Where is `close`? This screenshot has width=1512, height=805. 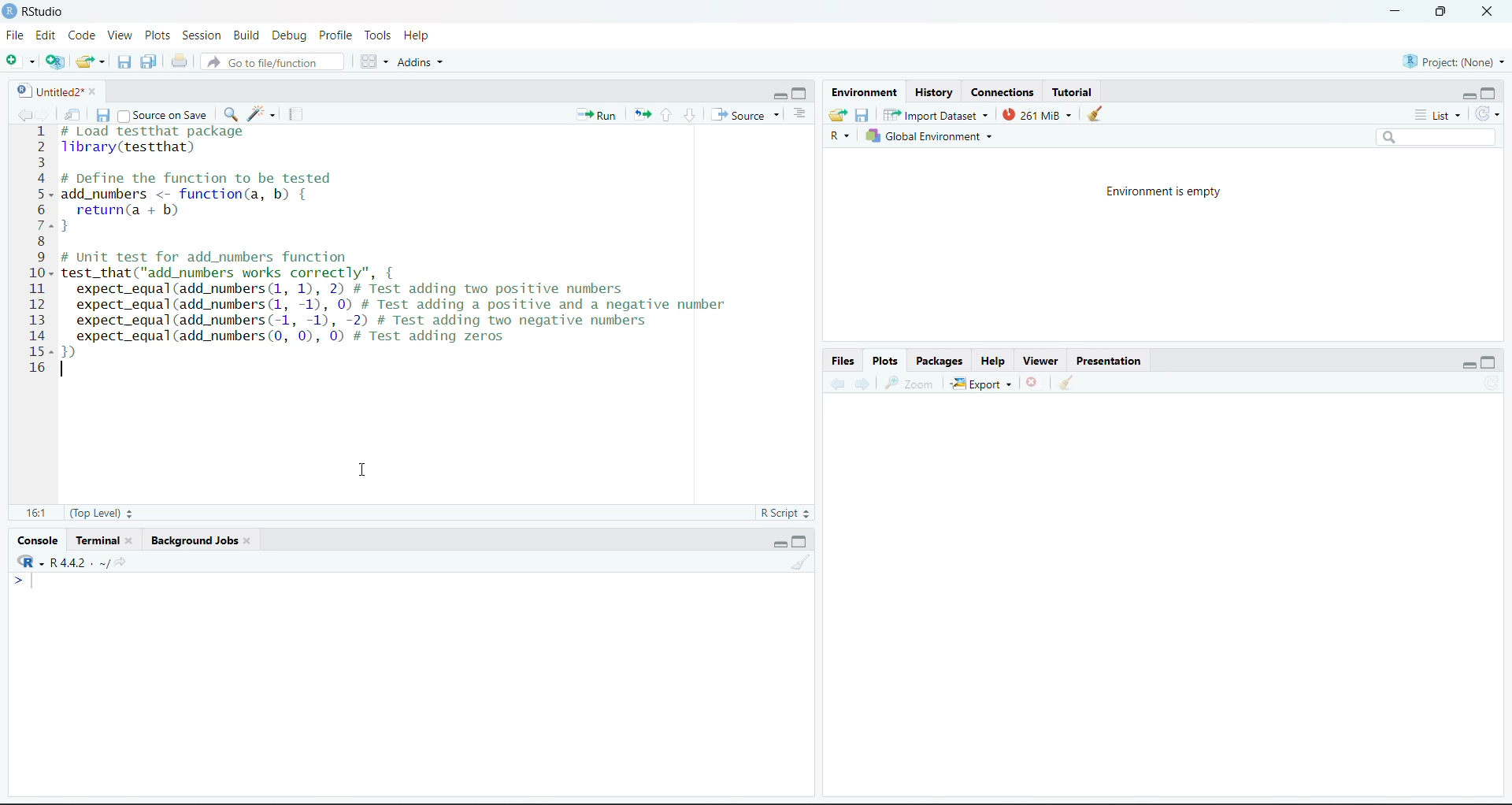 close is located at coordinates (95, 91).